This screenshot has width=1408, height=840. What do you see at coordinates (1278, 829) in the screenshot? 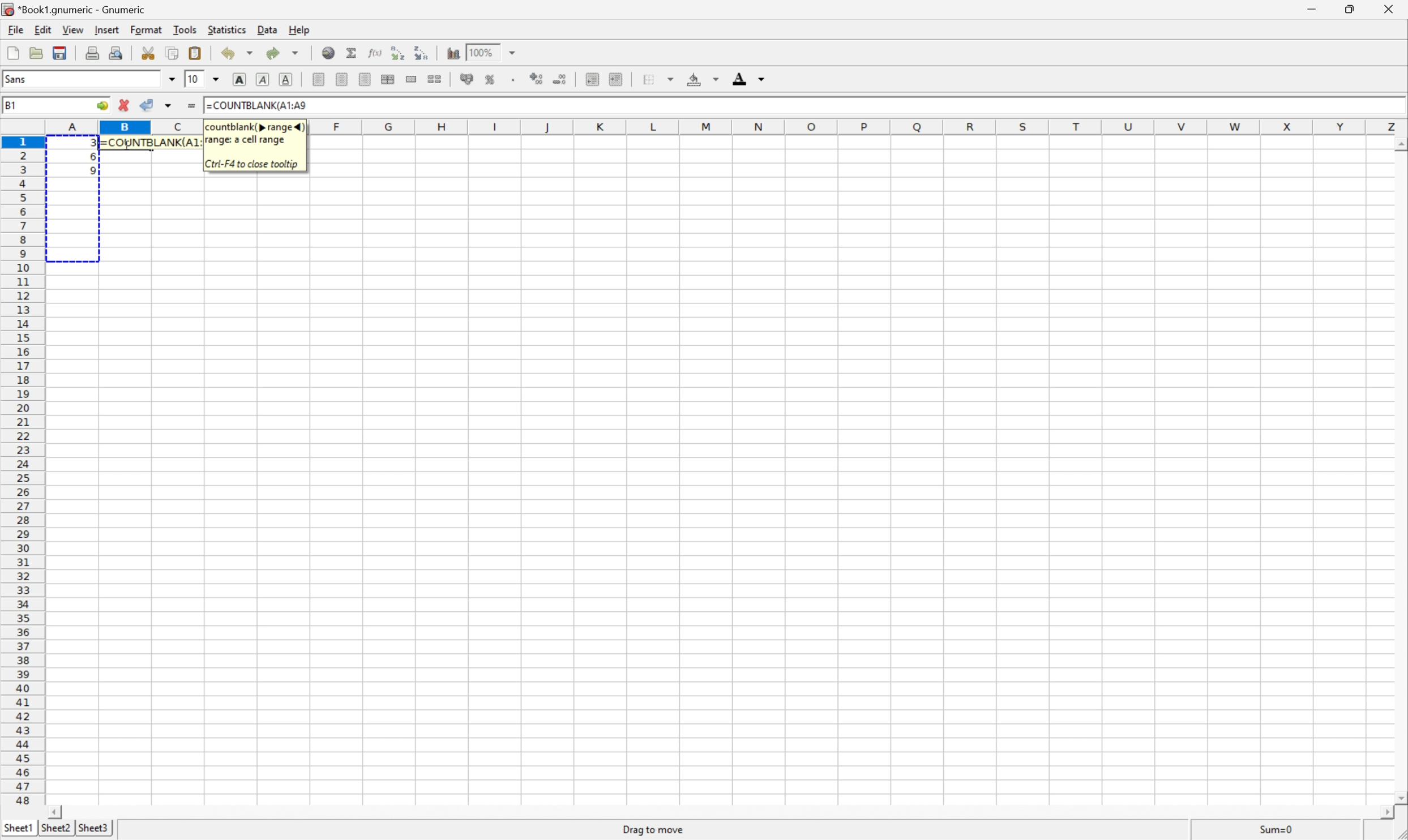
I see `Sum=0` at bounding box center [1278, 829].